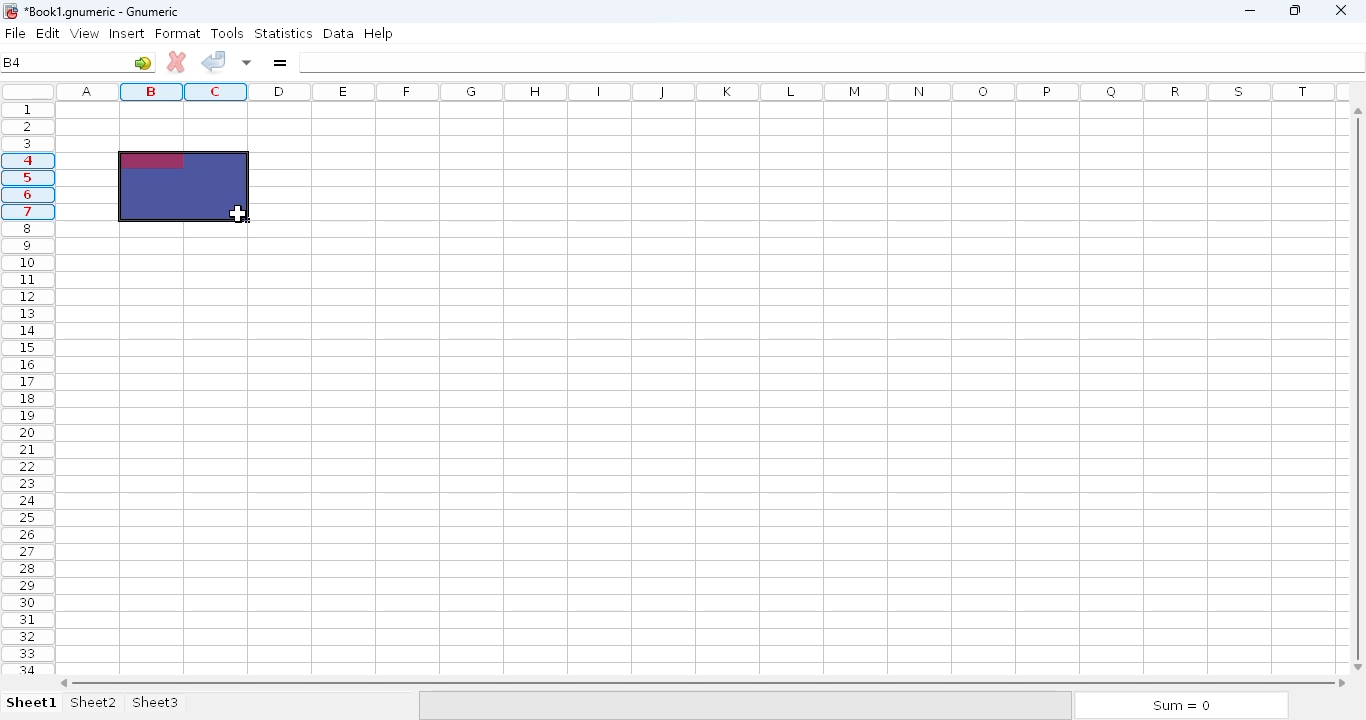 This screenshot has height=720, width=1366. What do you see at coordinates (281, 62) in the screenshot?
I see `enter formula` at bounding box center [281, 62].